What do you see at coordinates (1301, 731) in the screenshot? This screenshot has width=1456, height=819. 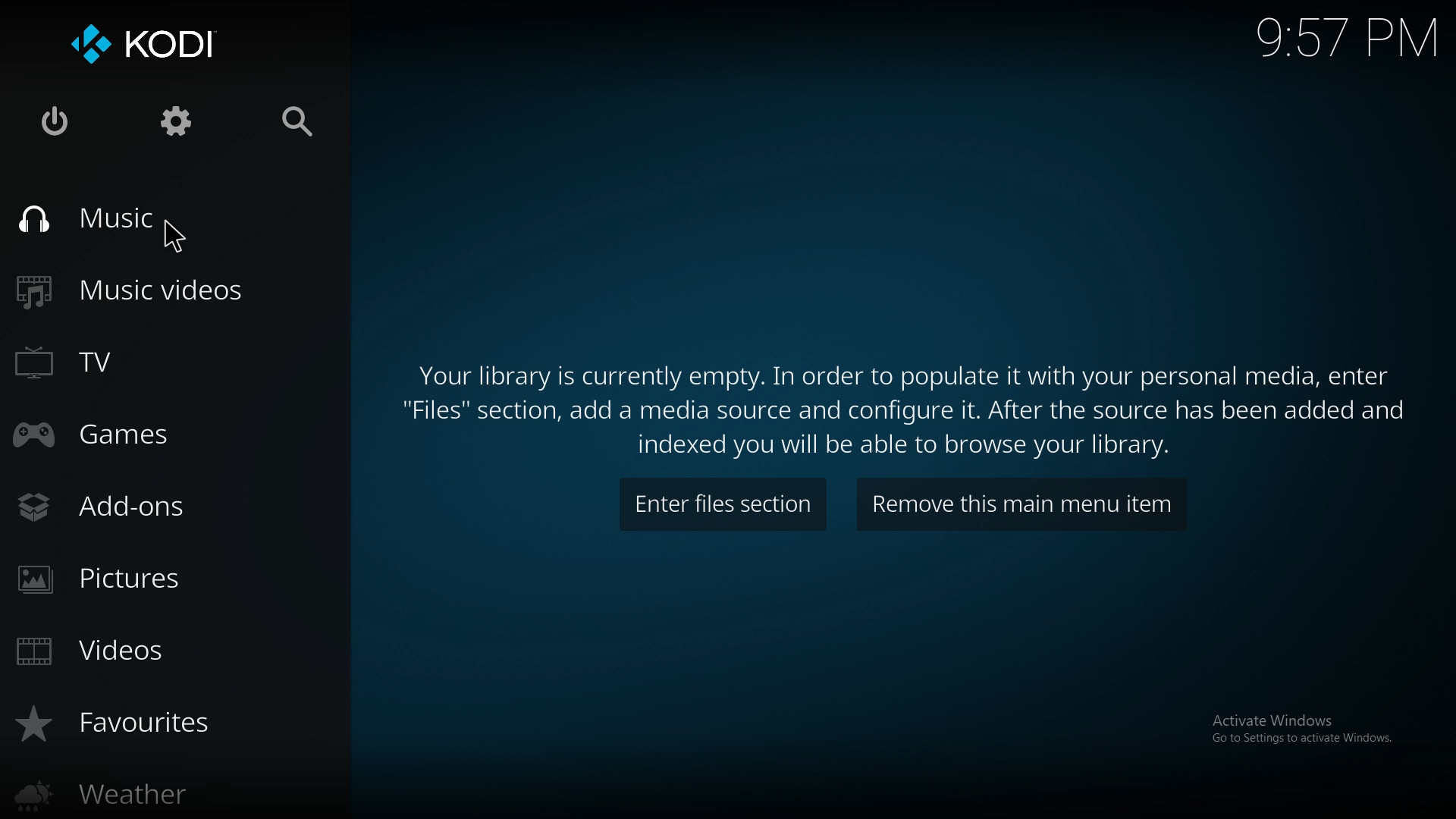 I see `Activate Windows
Go to Settings to activate Windows.` at bounding box center [1301, 731].